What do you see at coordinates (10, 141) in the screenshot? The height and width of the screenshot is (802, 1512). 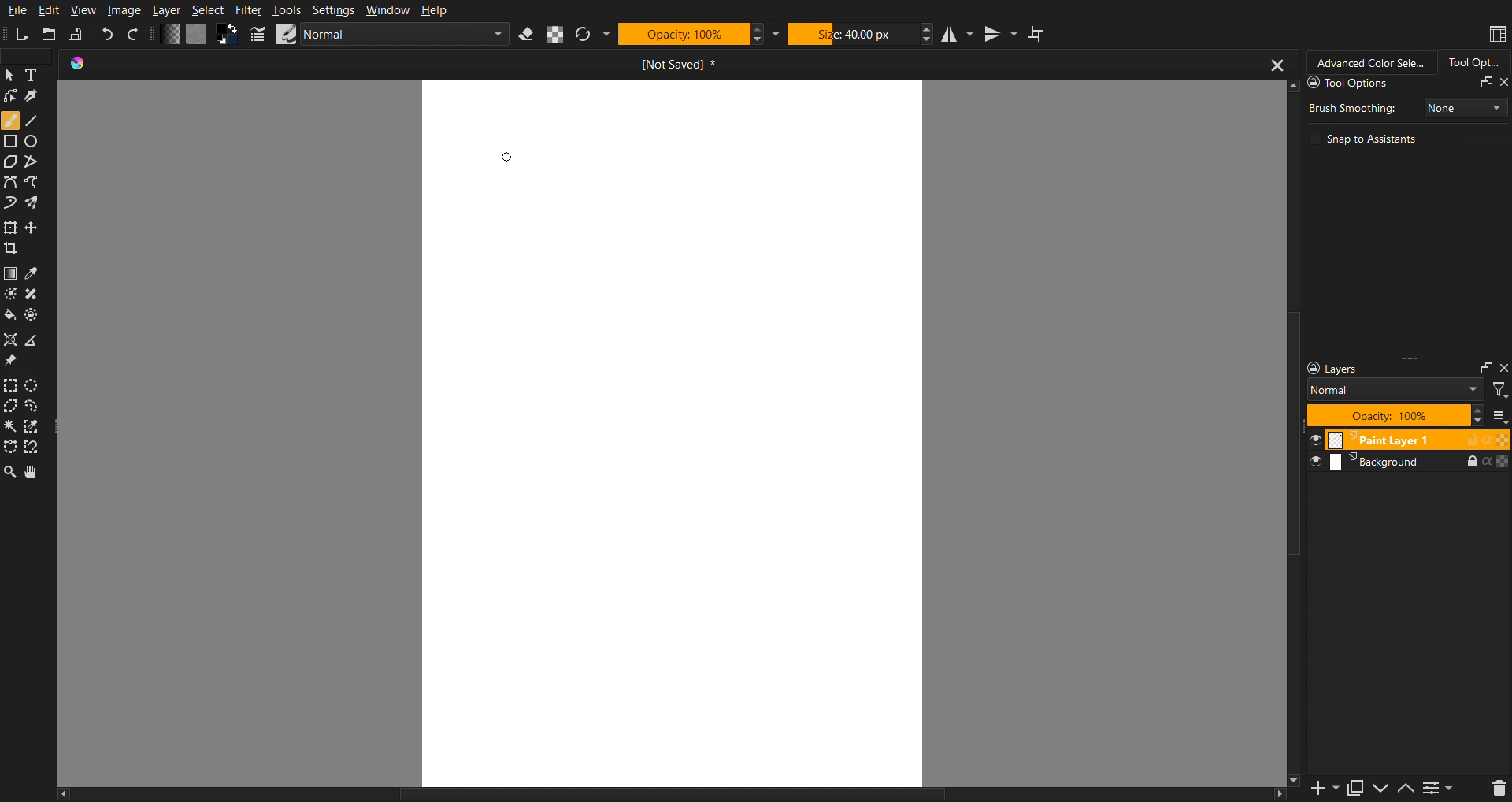 I see `Square` at bounding box center [10, 141].